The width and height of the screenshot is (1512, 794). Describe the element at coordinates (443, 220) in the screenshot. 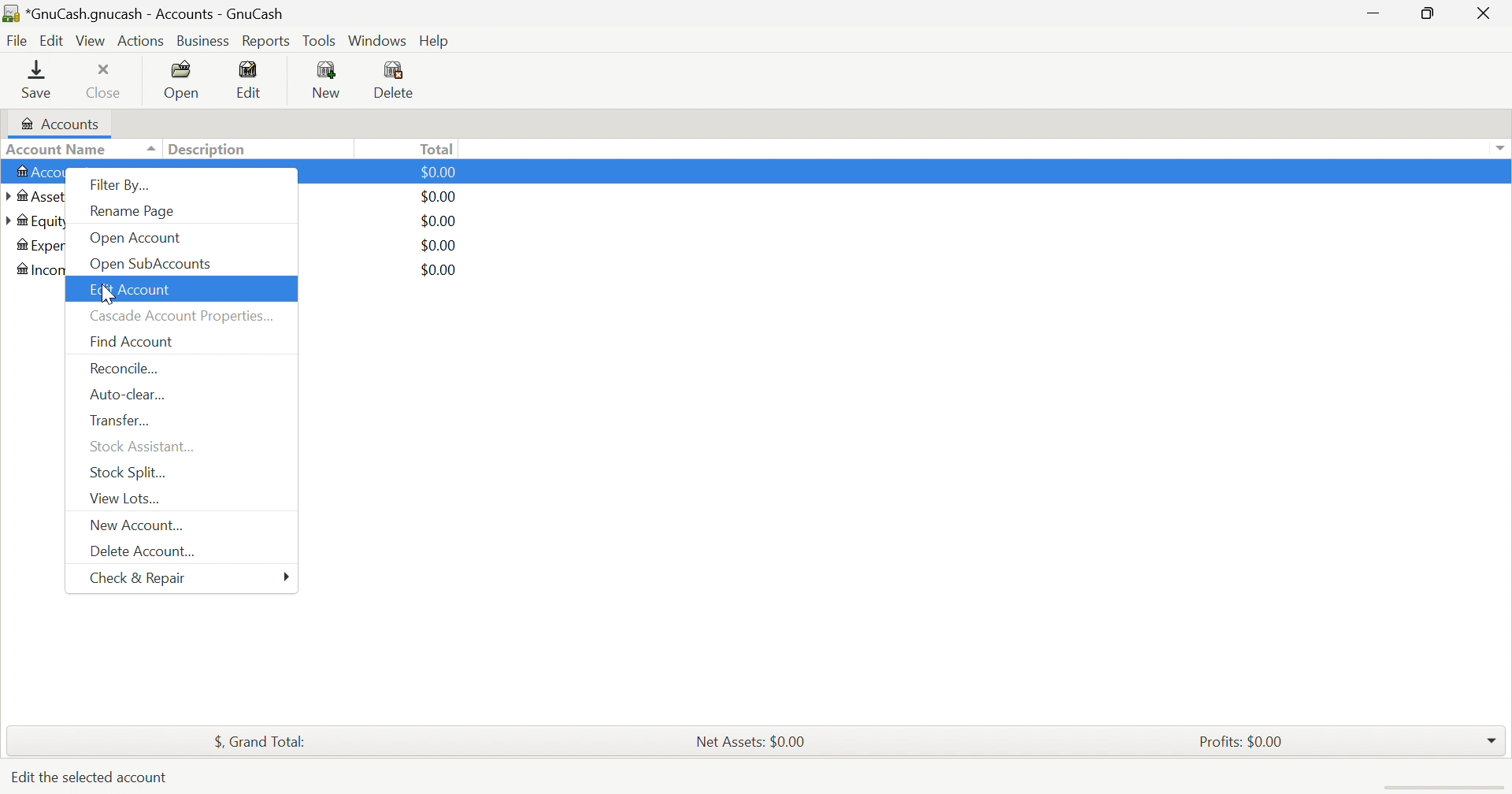

I see `$0.00` at that location.